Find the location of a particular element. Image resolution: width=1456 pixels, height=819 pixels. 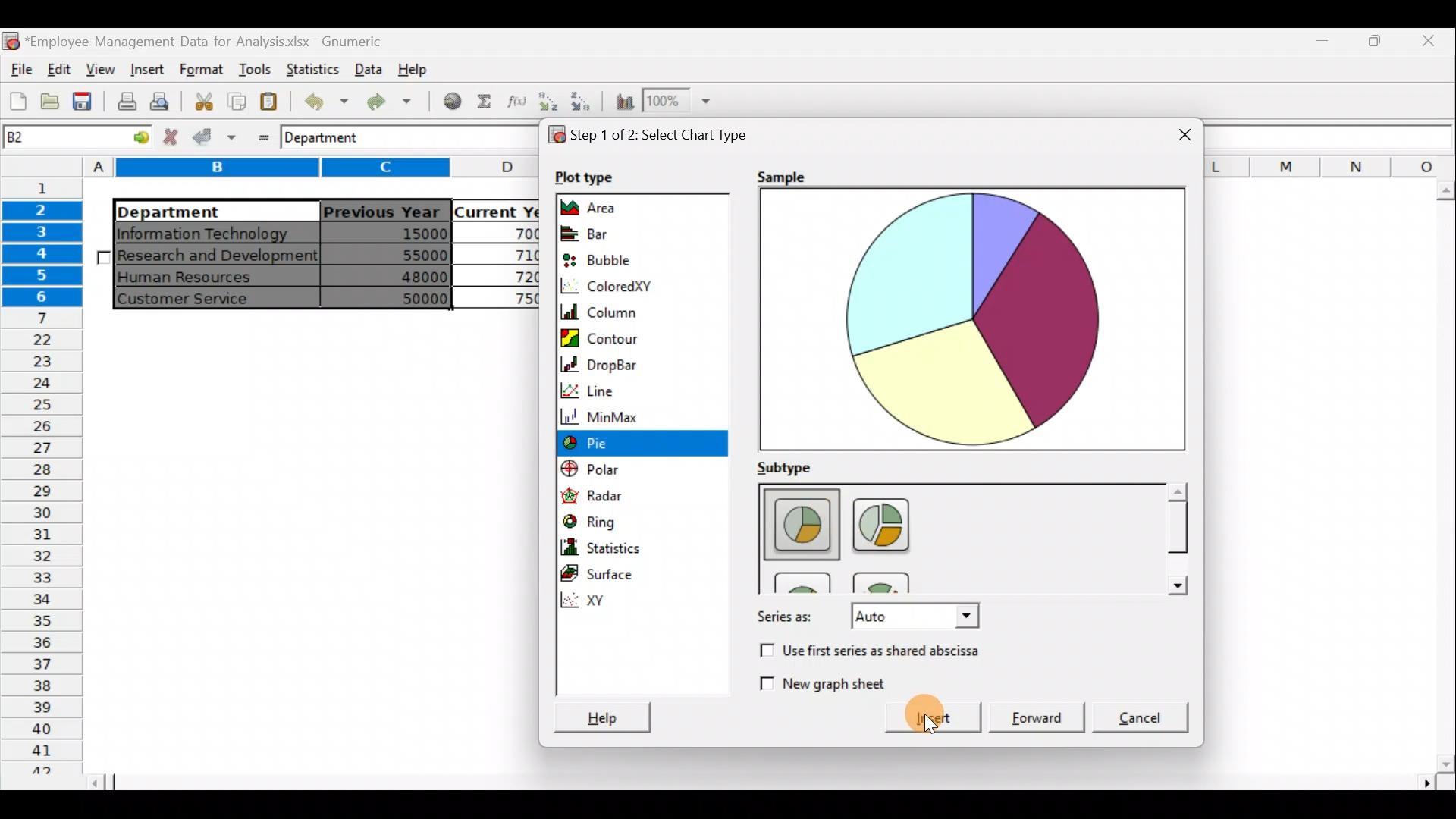

Pie is located at coordinates (631, 444).